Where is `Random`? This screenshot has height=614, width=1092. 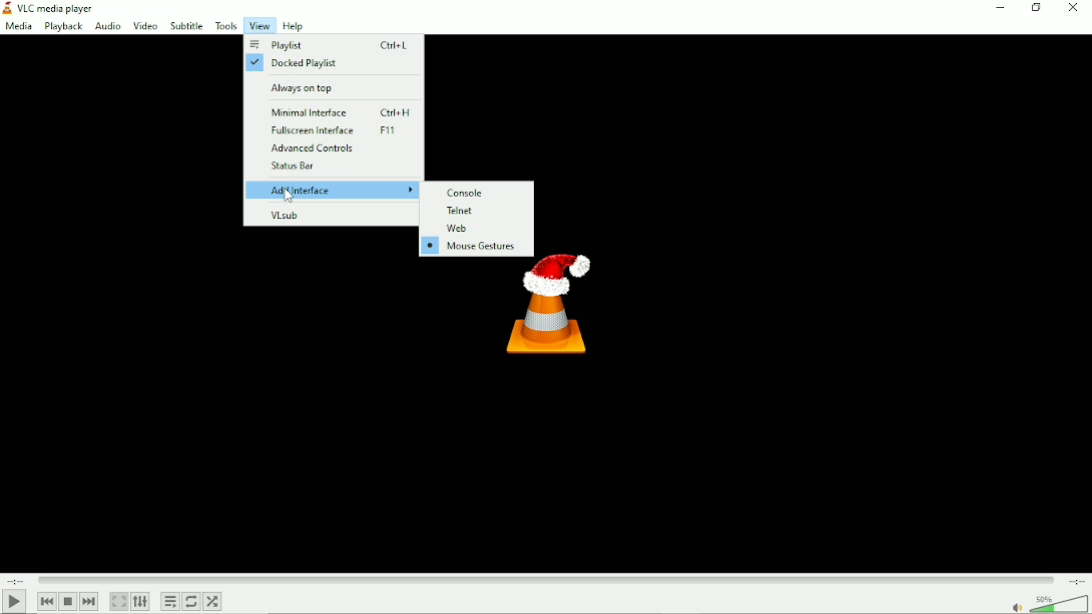 Random is located at coordinates (212, 601).